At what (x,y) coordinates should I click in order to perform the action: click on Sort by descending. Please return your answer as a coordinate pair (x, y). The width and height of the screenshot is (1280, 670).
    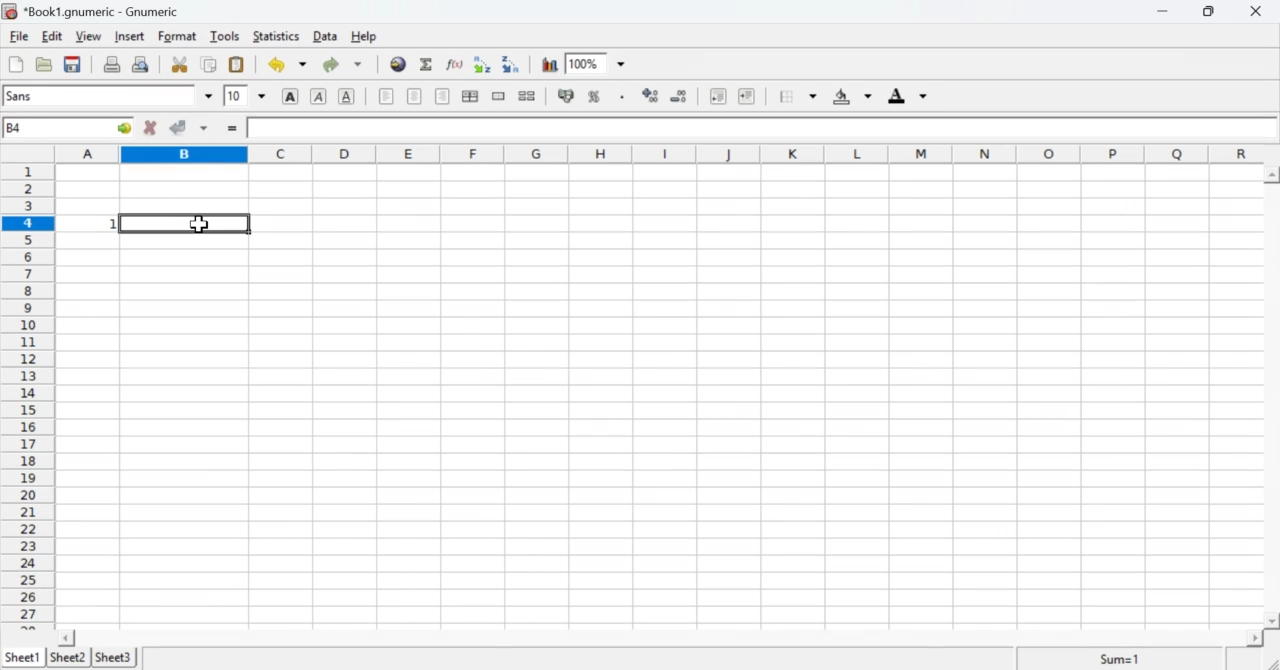
    Looking at the image, I should click on (678, 96).